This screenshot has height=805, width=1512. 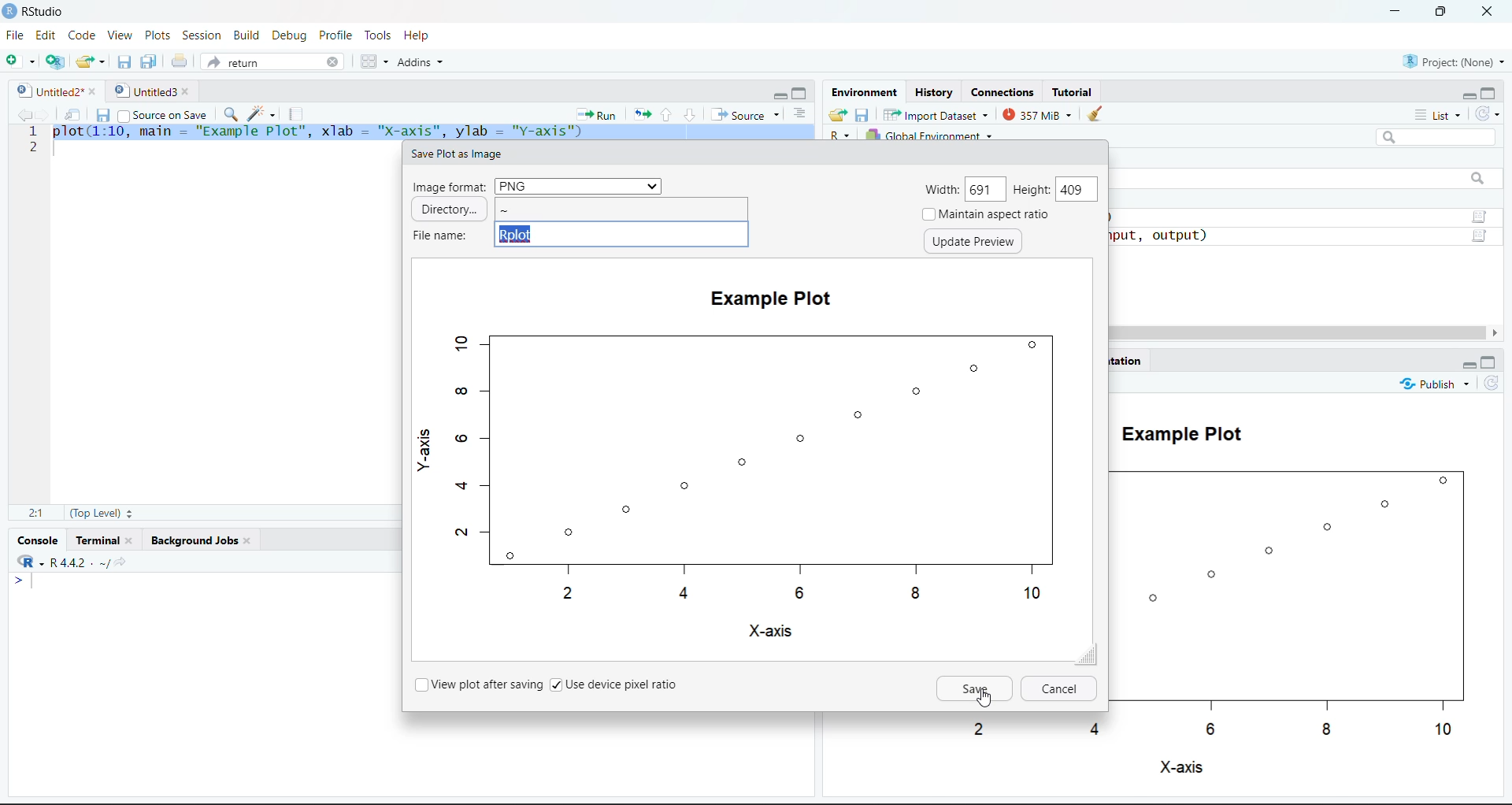 What do you see at coordinates (418, 35) in the screenshot?
I see `Help` at bounding box center [418, 35].